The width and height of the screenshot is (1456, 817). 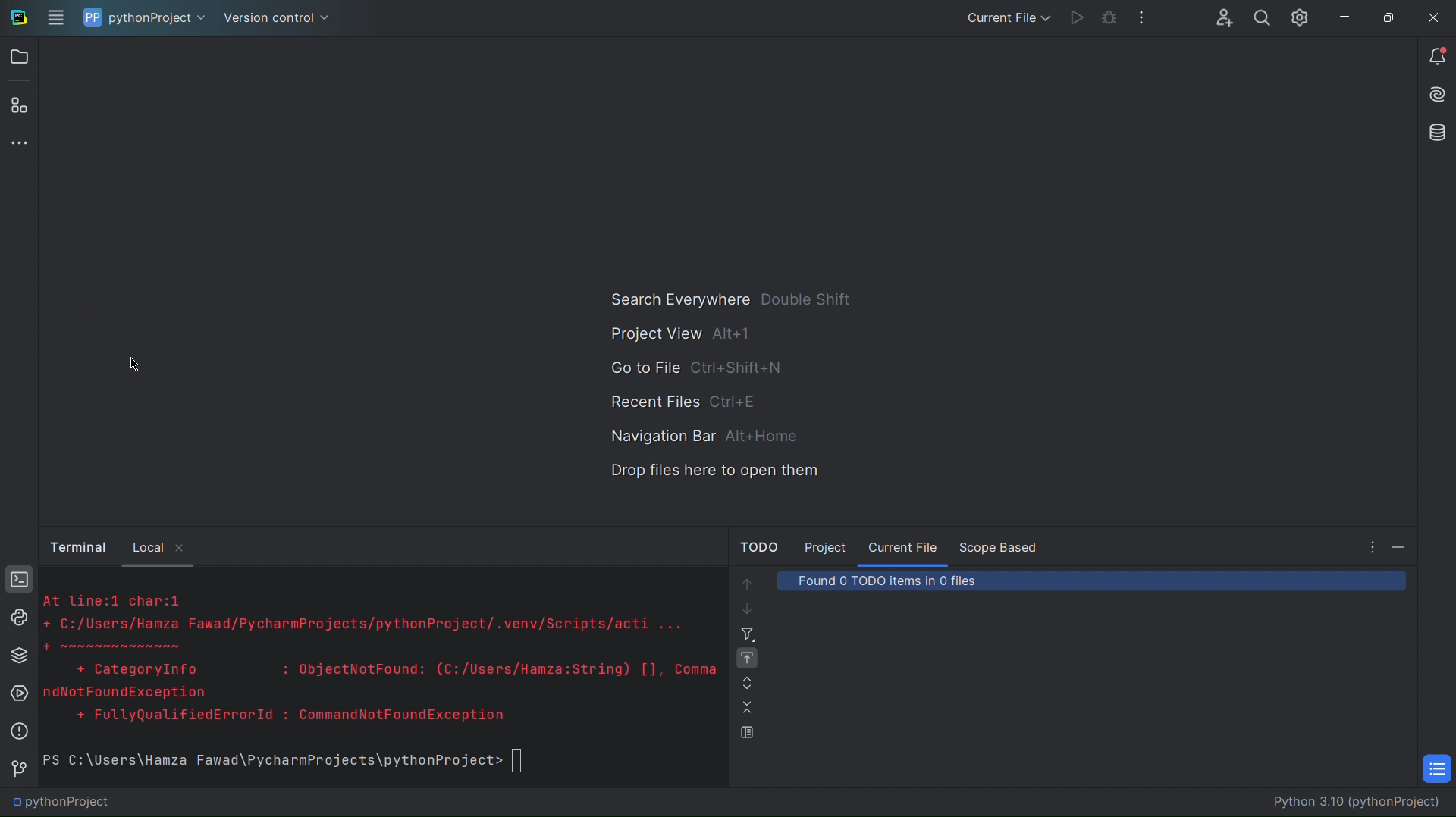 What do you see at coordinates (699, 436) in the screenshot?
I see `Navigation Bar` at bounding box center [699, 436].